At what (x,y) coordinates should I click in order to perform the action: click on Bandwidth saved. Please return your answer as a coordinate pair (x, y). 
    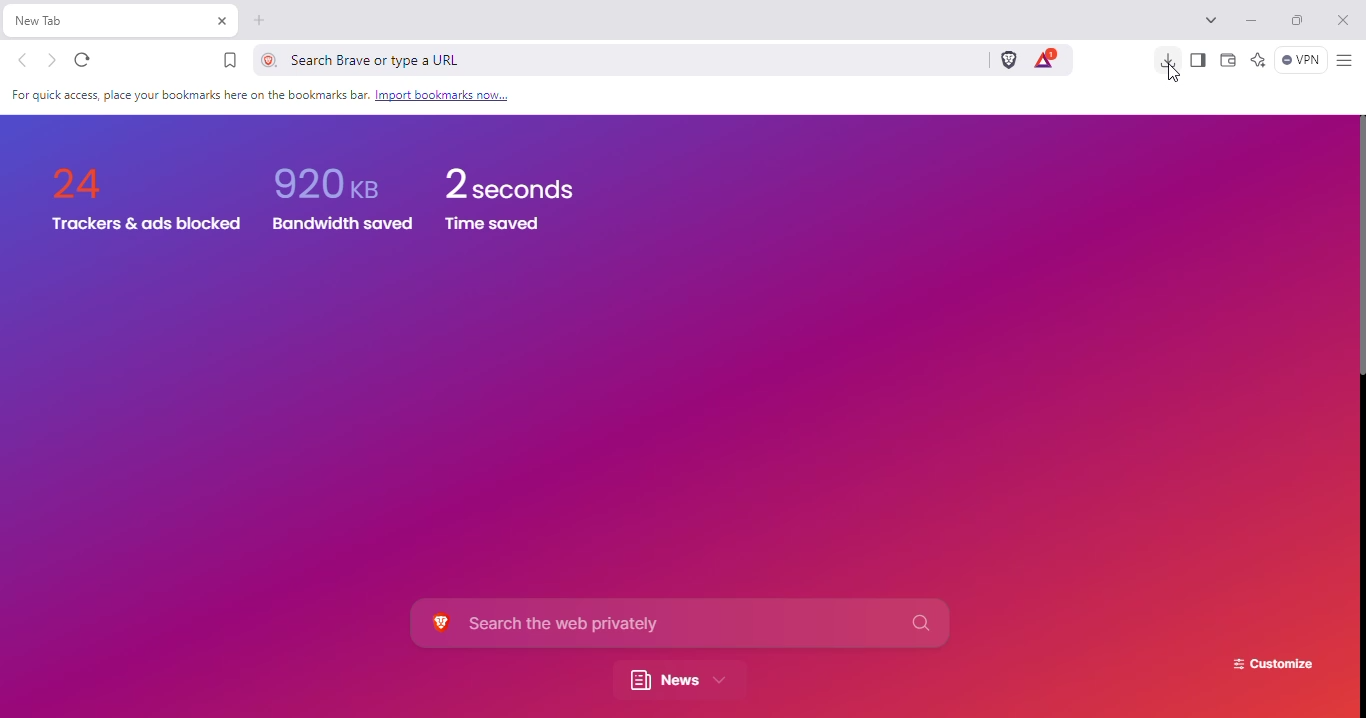
    Looking at the image, I should click on (338, 224).